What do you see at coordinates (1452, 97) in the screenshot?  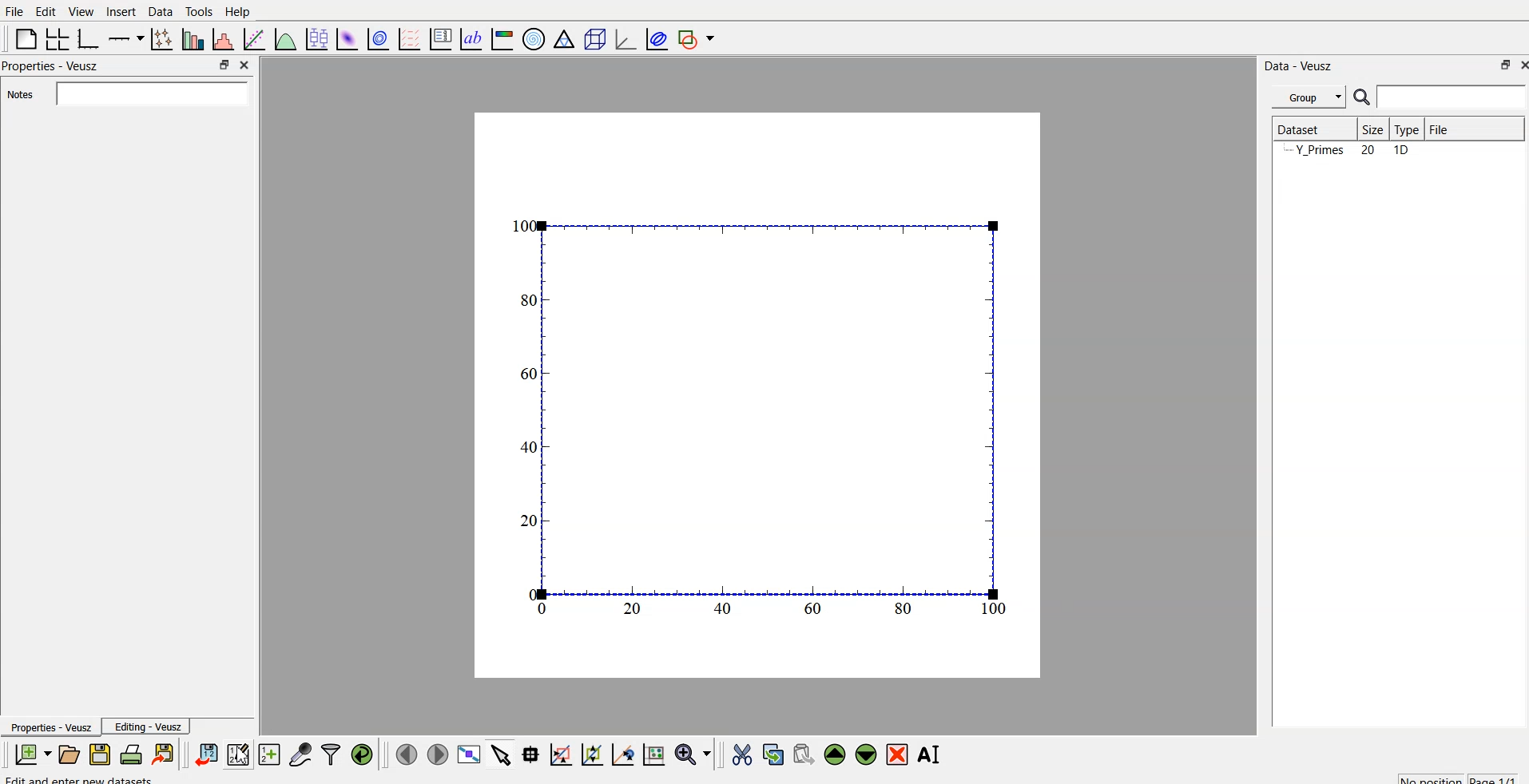 I see `search bar` at bounding box center [1452, 97].